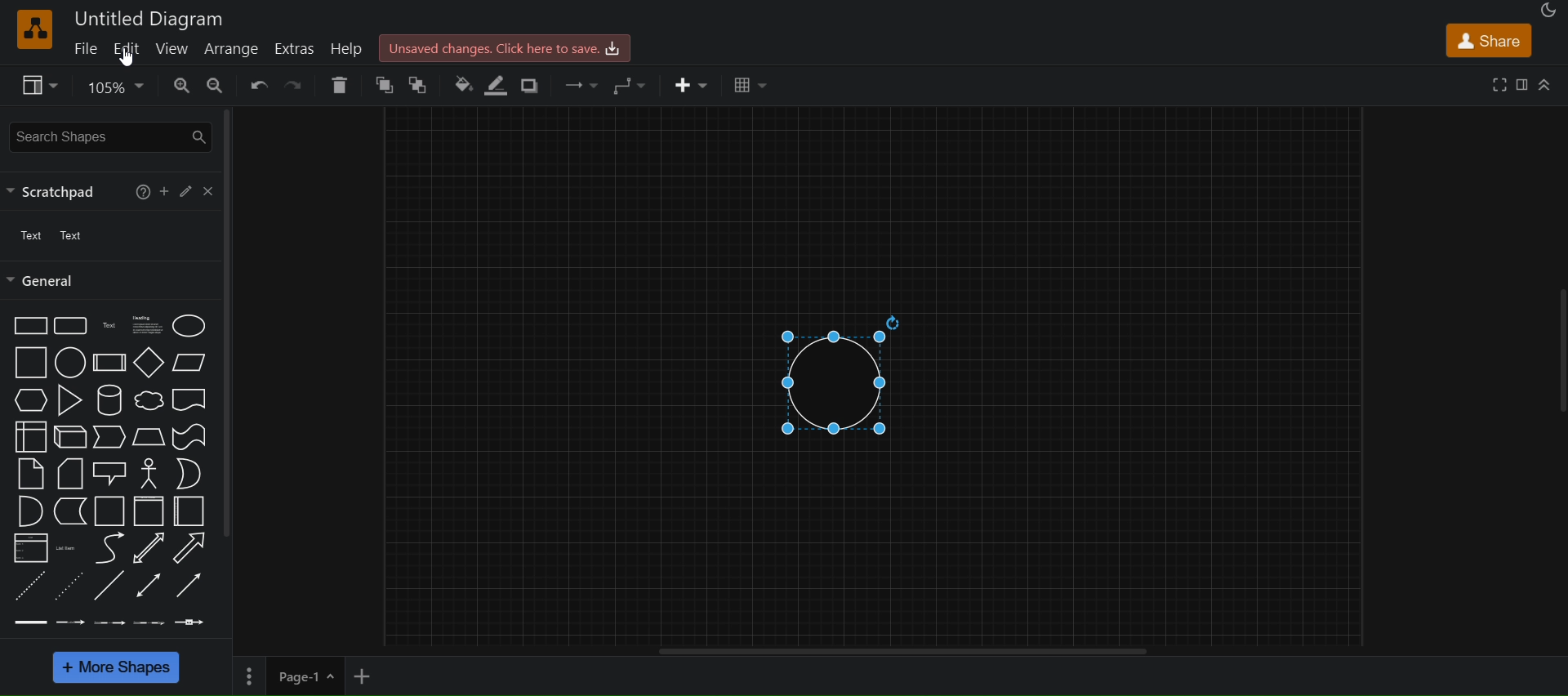 The image size is (1568, 696). I want to click on rectangle, so click(26, 327).